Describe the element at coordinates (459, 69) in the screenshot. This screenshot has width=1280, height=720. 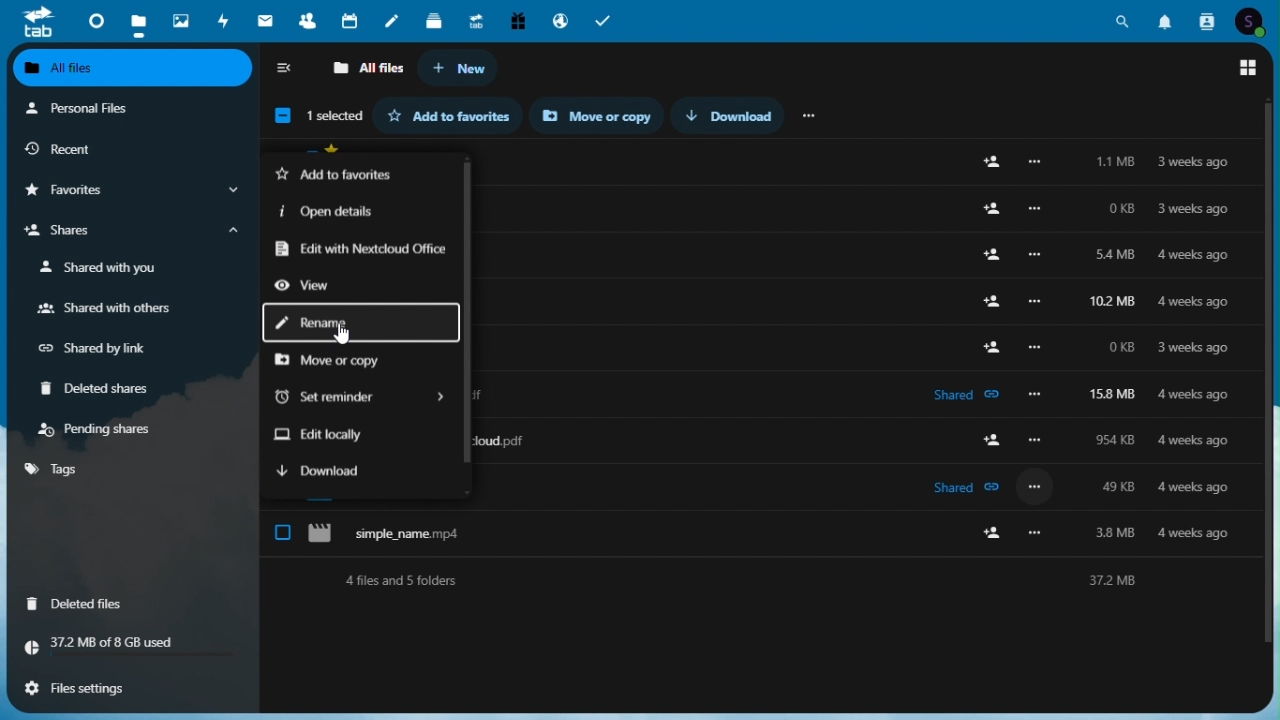
I see `new` at that location.